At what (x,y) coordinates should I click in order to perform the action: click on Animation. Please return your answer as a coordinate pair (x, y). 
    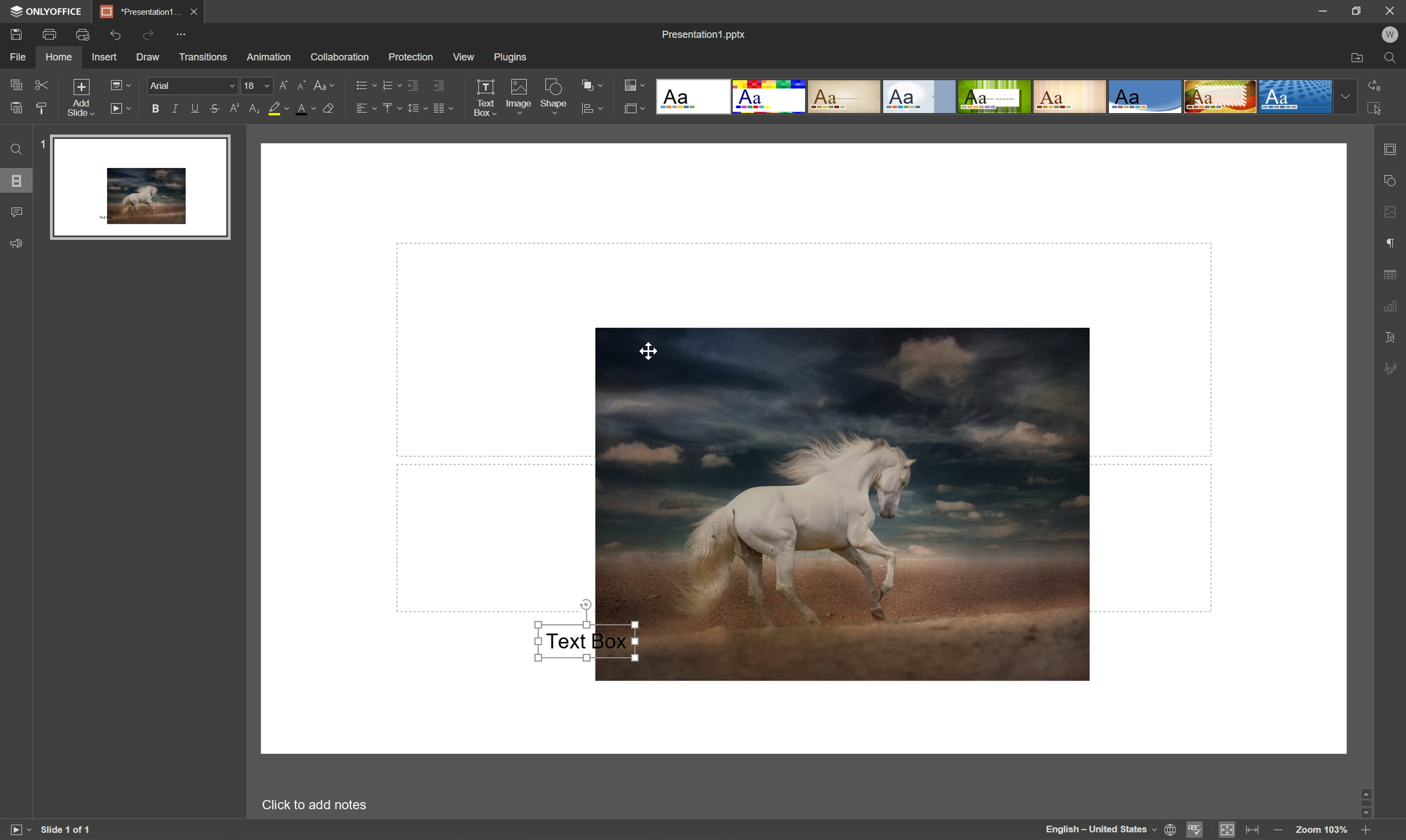
    Looking at the image, I should click on (271, 58).